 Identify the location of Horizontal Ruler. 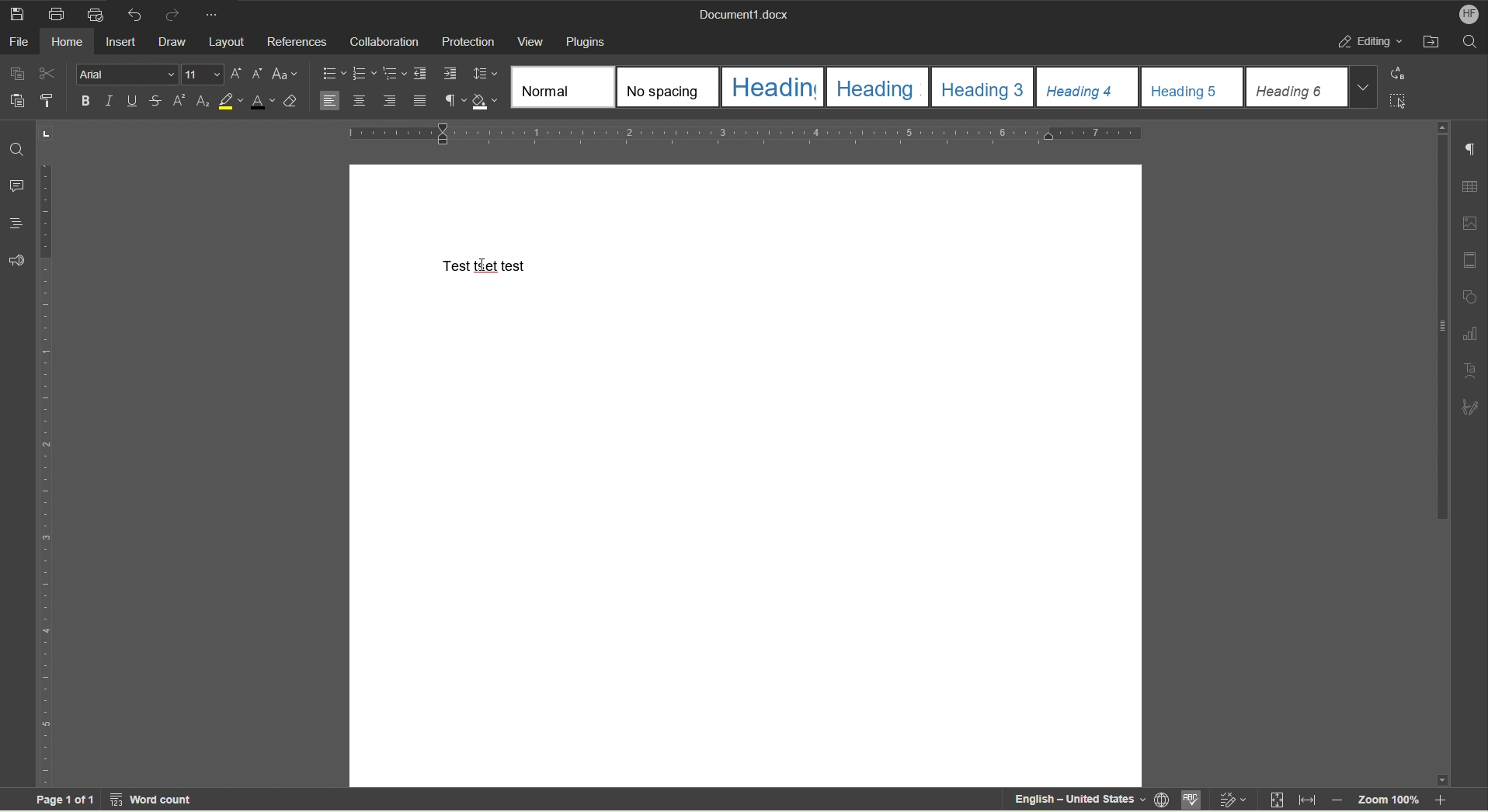
(741, 136).